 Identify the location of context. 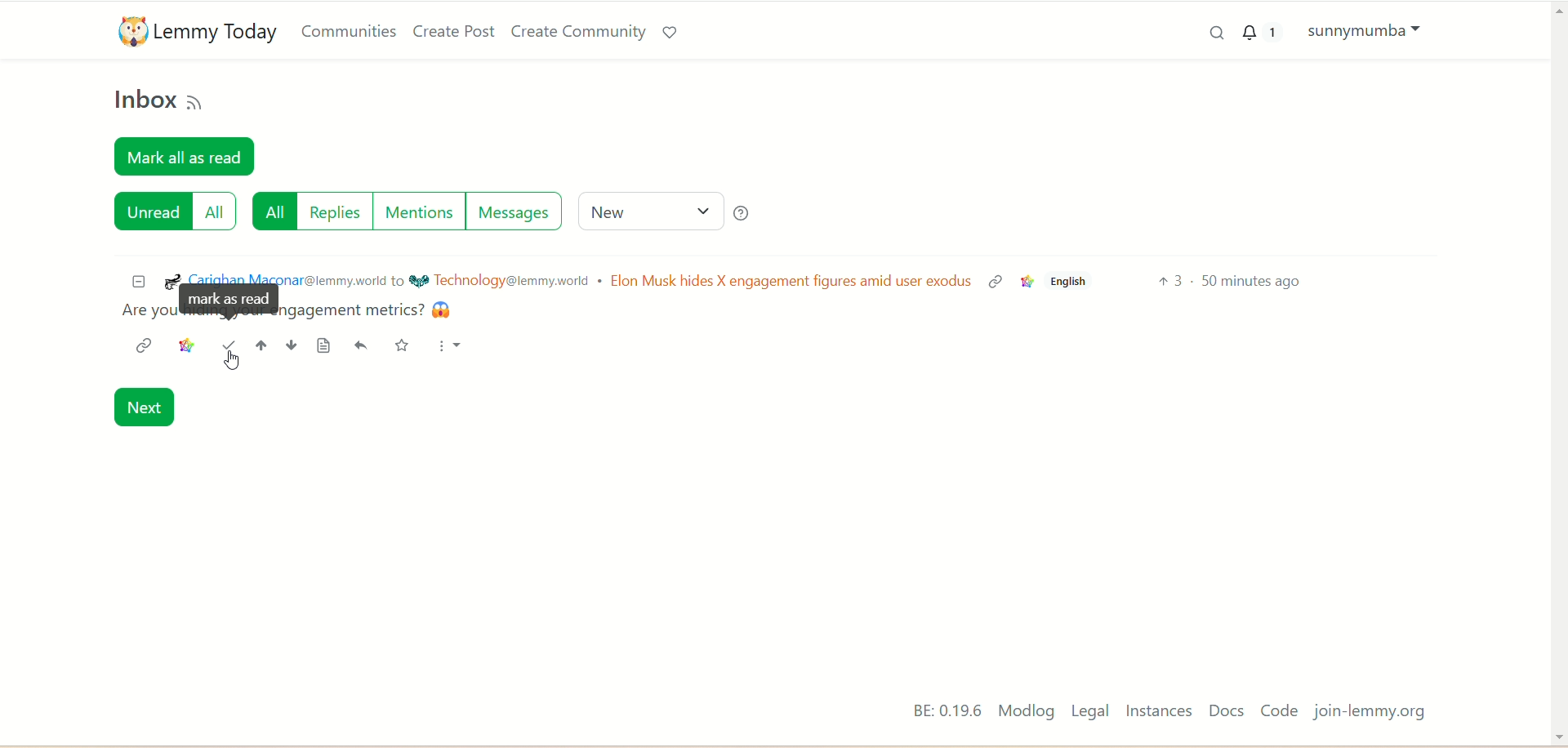
(184, 348).